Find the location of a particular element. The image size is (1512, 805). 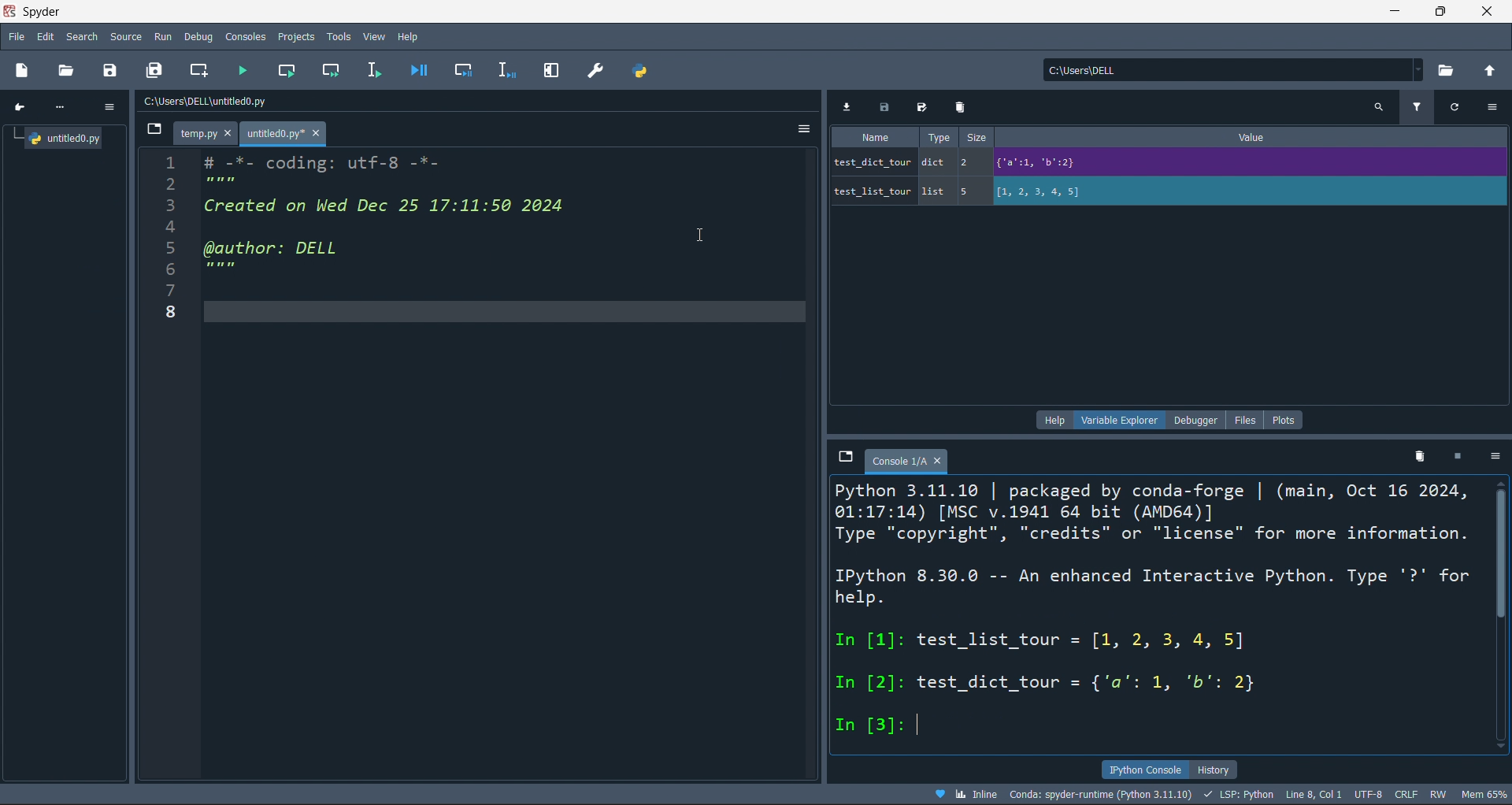

icon is located at coordinates (65, 108).